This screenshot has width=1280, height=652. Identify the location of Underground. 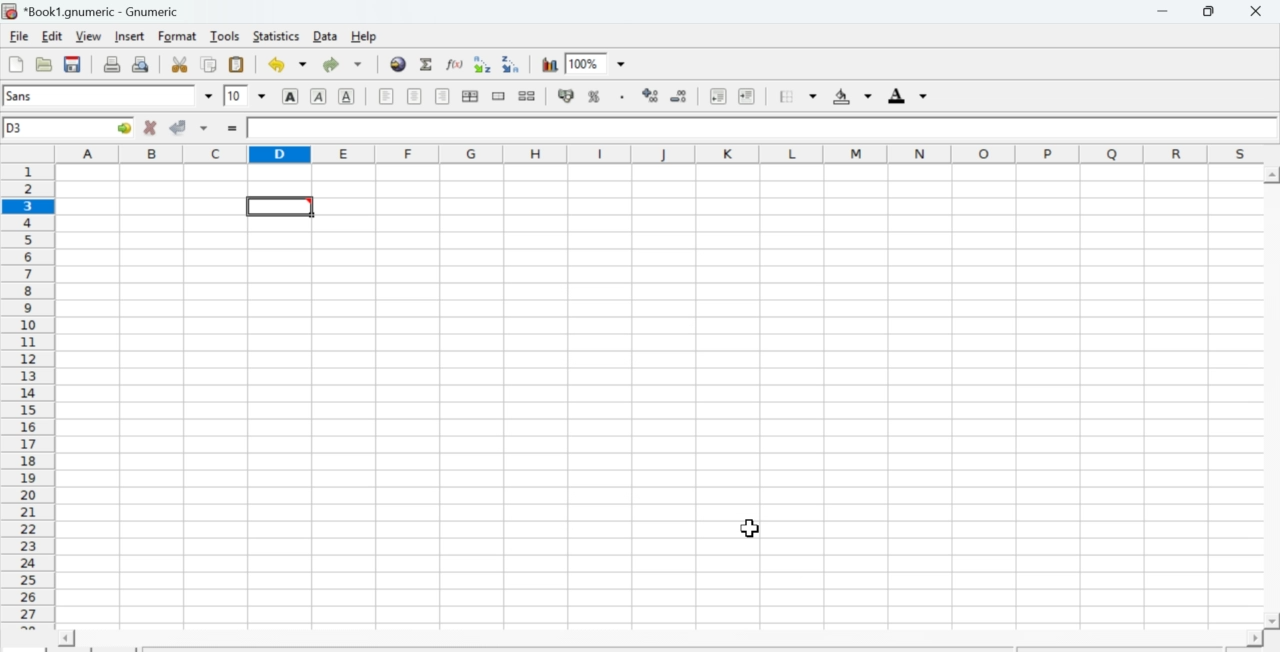
(346, 96).